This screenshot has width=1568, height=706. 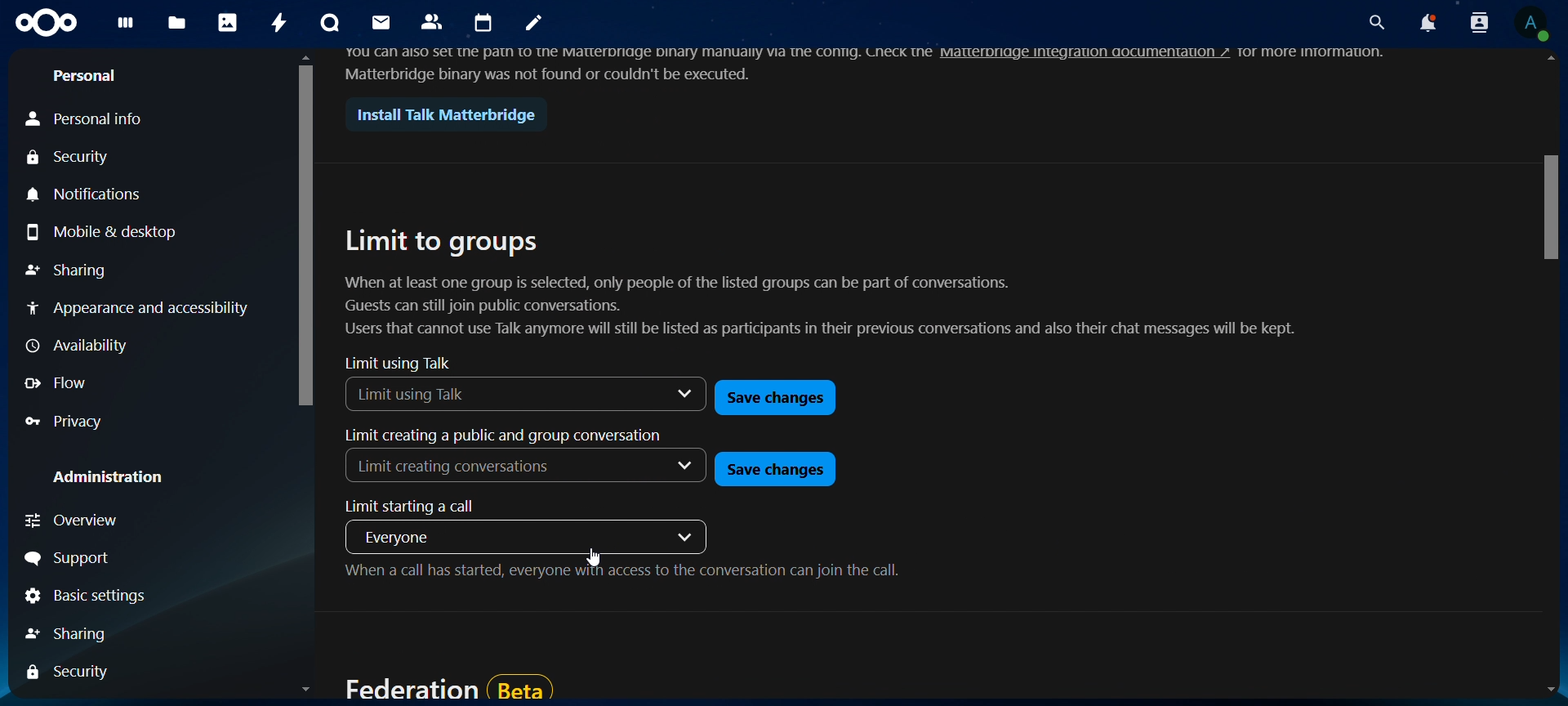 What do you see at coordinates (621, 574) in the screenshot?
I see `when a call has started, everyone with access to the conversation can join the call` at bounding box center [621, 574].